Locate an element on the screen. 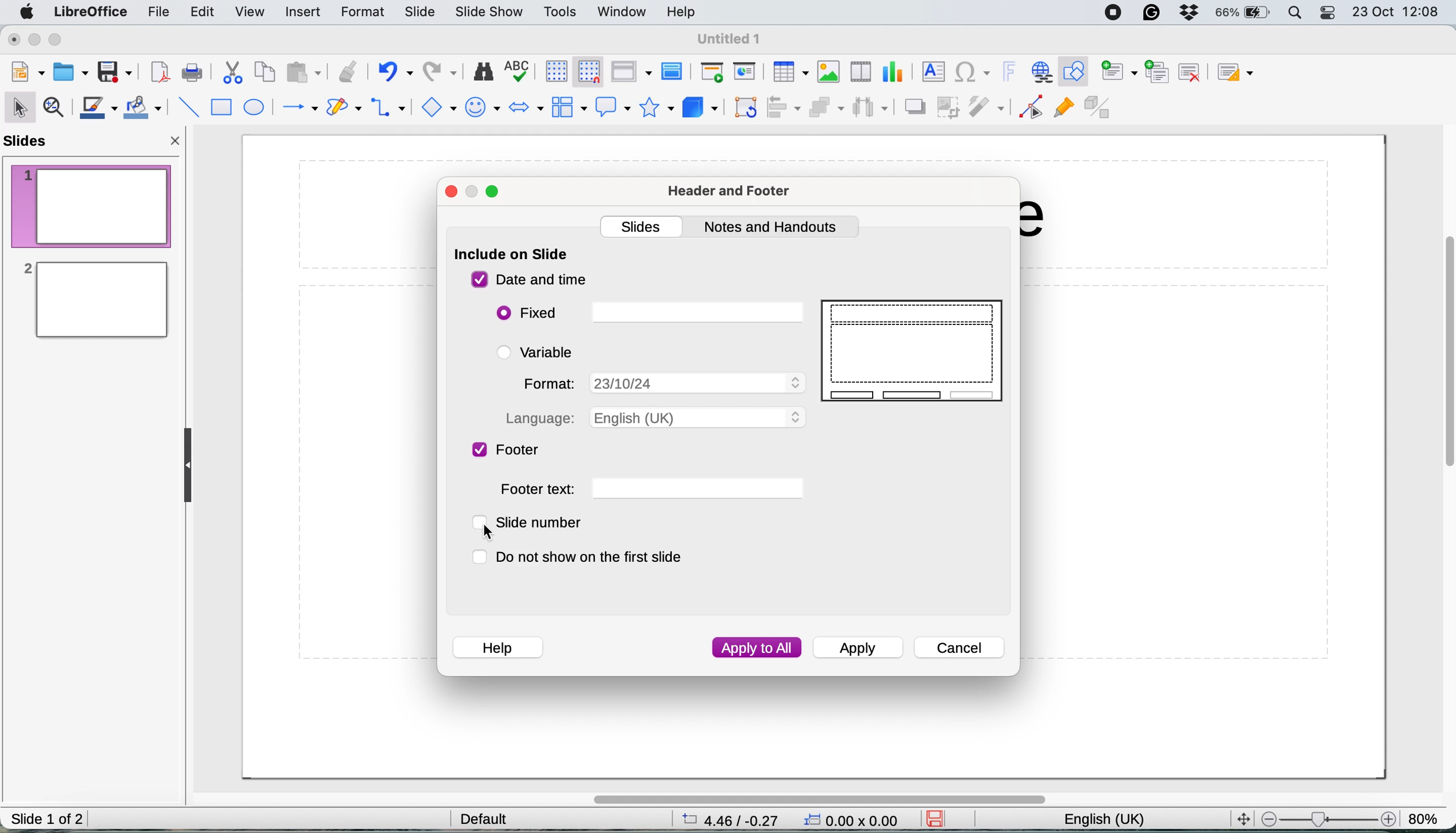  slide 1 of 2 is located at coordinates (47, 820).